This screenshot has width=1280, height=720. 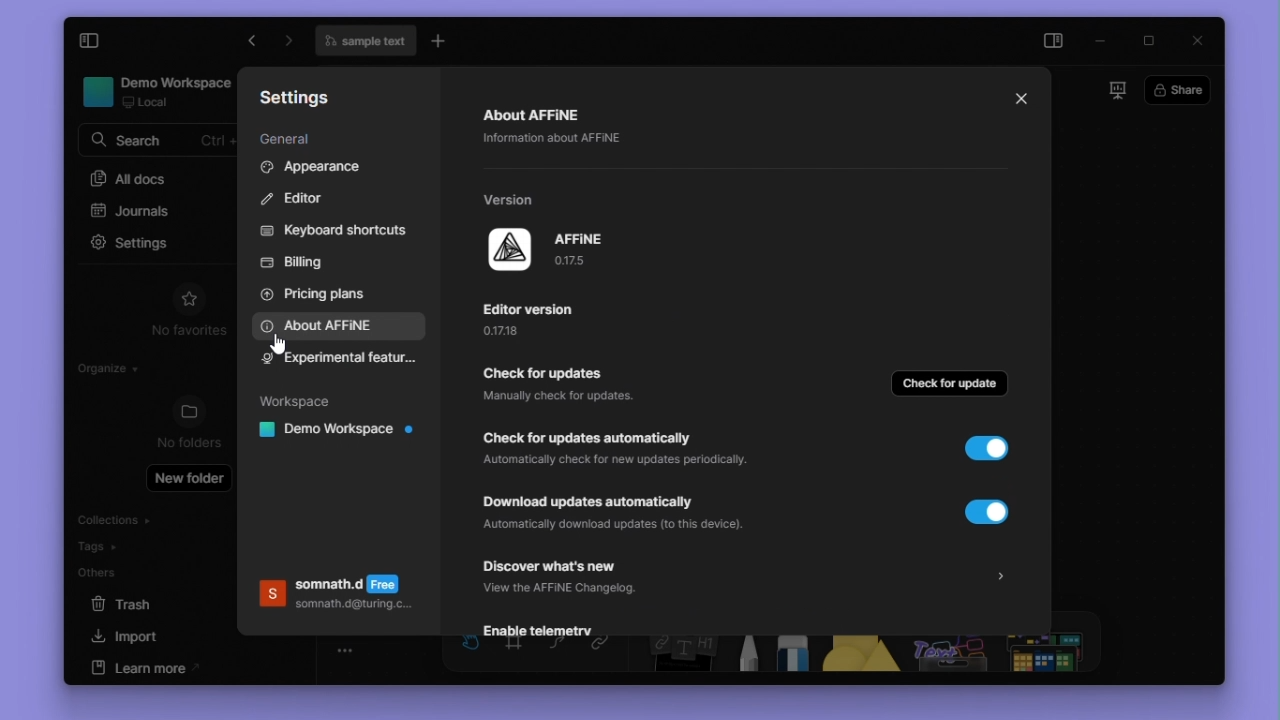 What do you see at coordinates (287, 43) in the screenshot?
I see `go forward` at bounding box center [287, 43].